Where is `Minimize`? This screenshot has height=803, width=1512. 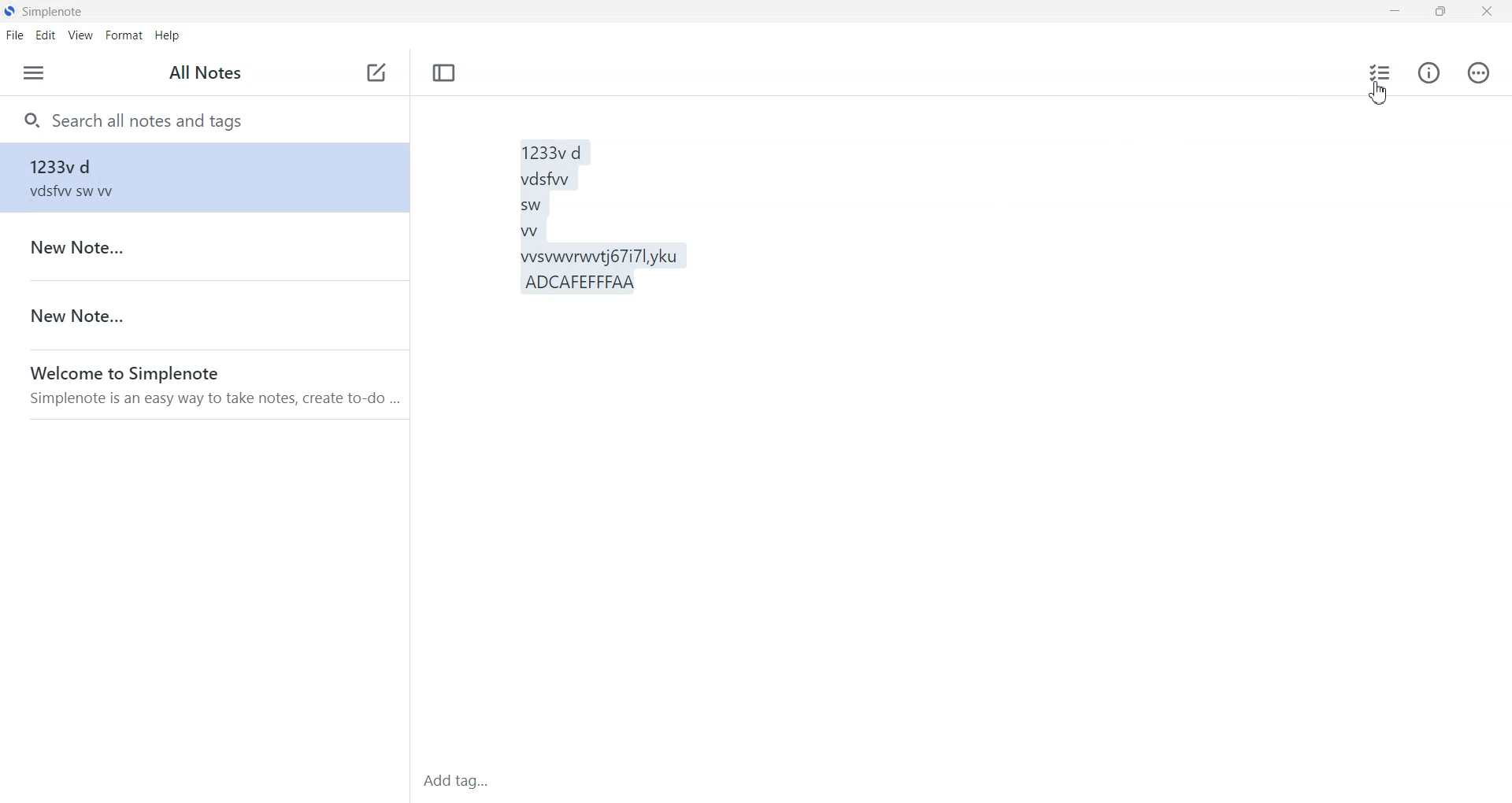
Minimize is located at coordinates (1395, 13).